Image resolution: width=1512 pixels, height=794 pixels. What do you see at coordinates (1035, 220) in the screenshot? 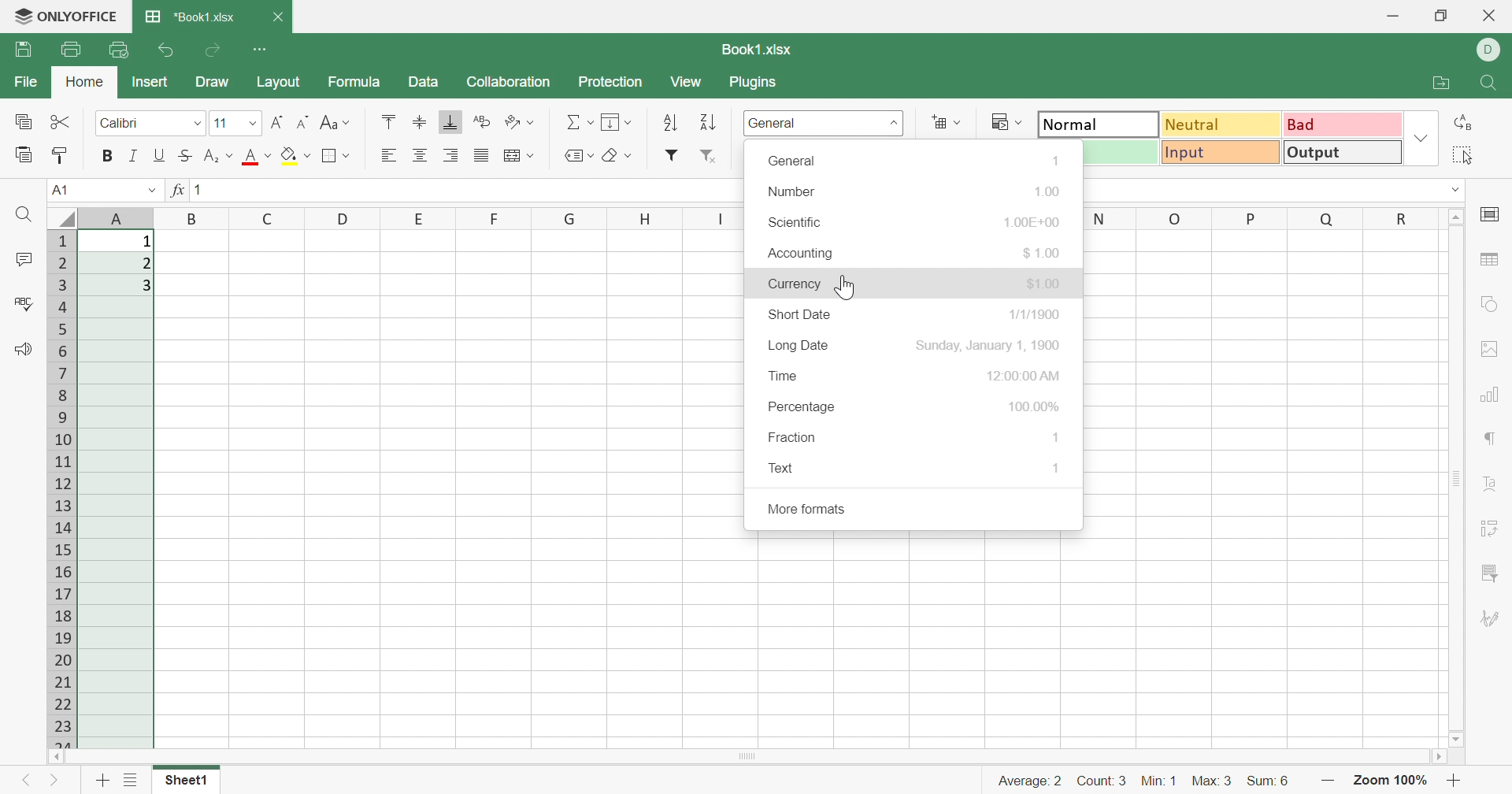
I see `1.00E+100` at bounding box center [1035, 220].